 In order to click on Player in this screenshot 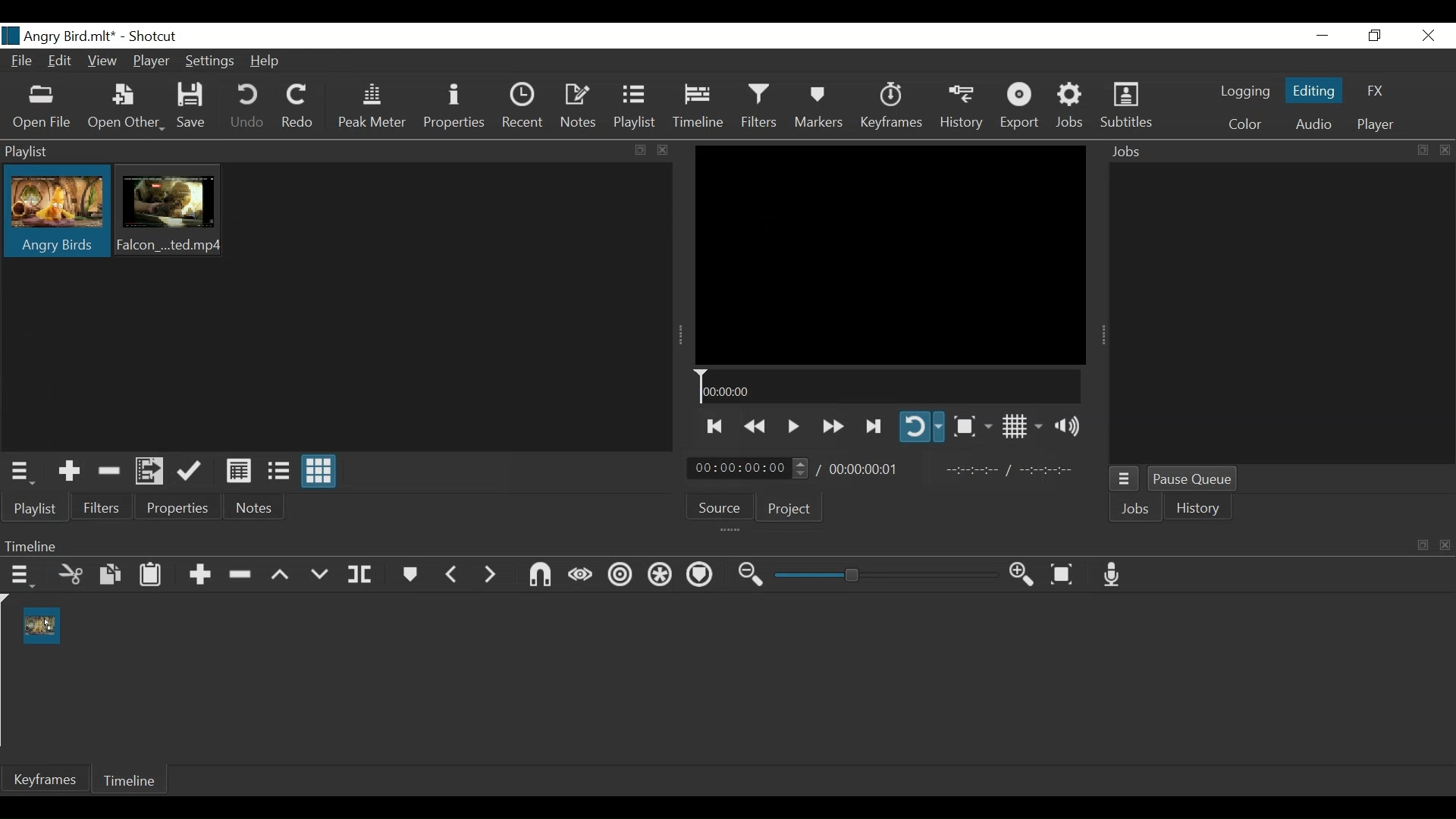, I will do `click(1376, 122)`.